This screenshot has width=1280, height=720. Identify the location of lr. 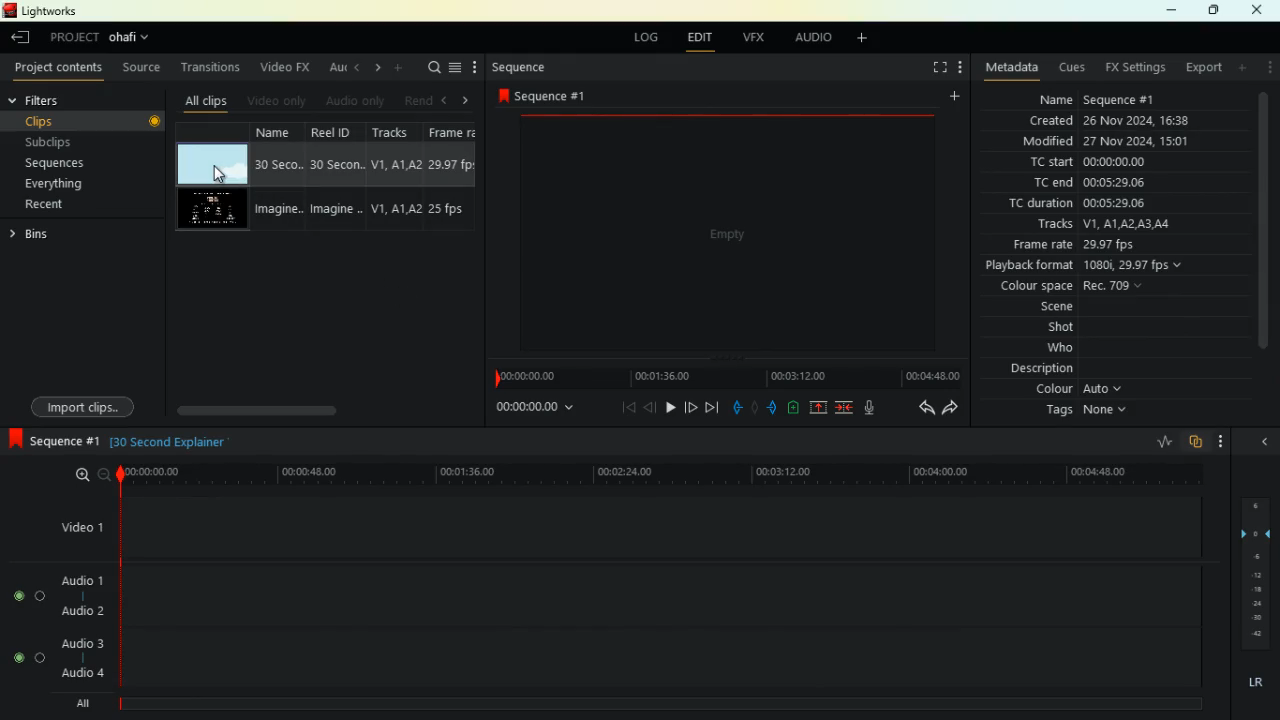
(1252, 682).